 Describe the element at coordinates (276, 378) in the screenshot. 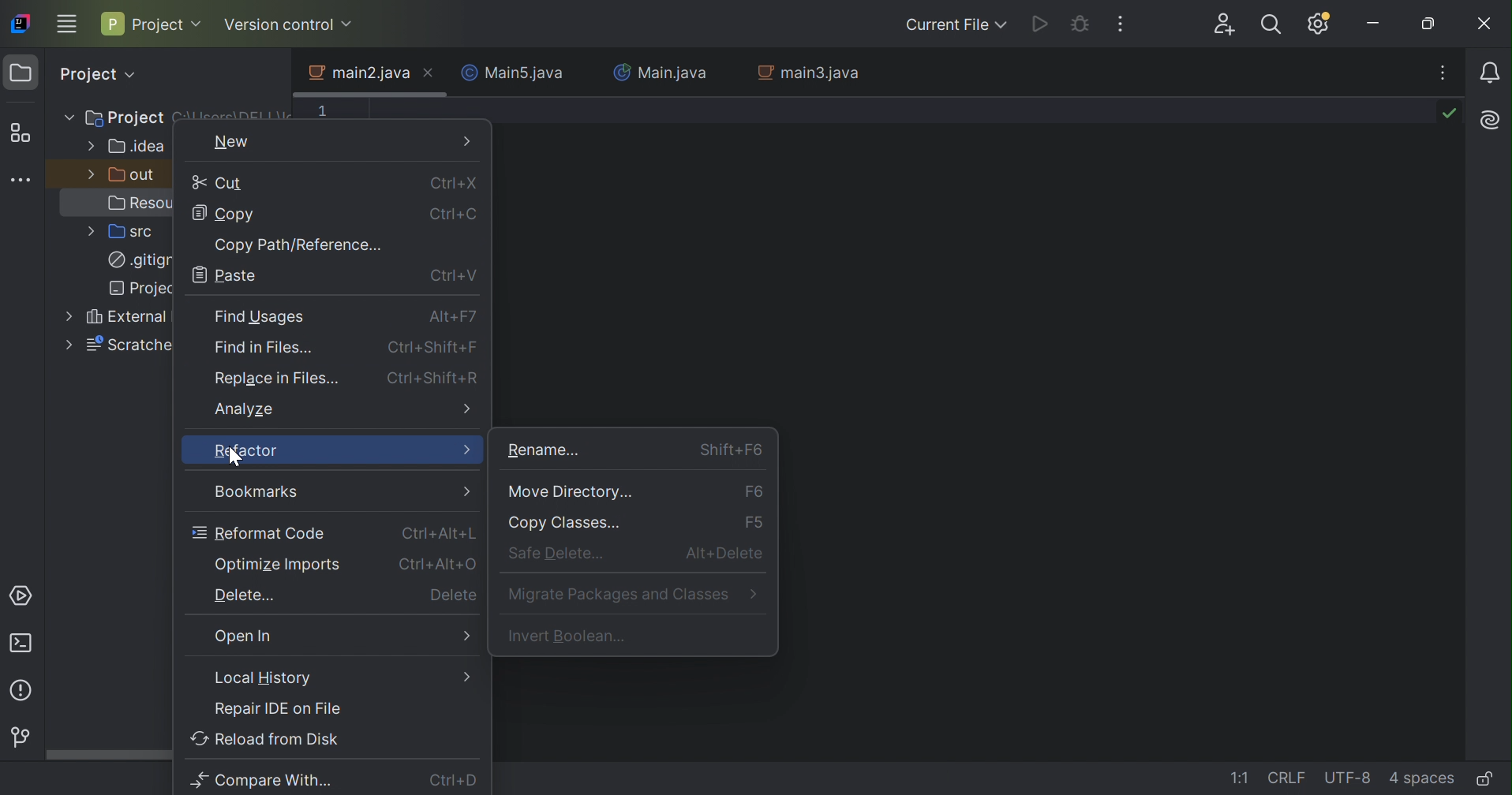

I see `Relace in files...` at that location.